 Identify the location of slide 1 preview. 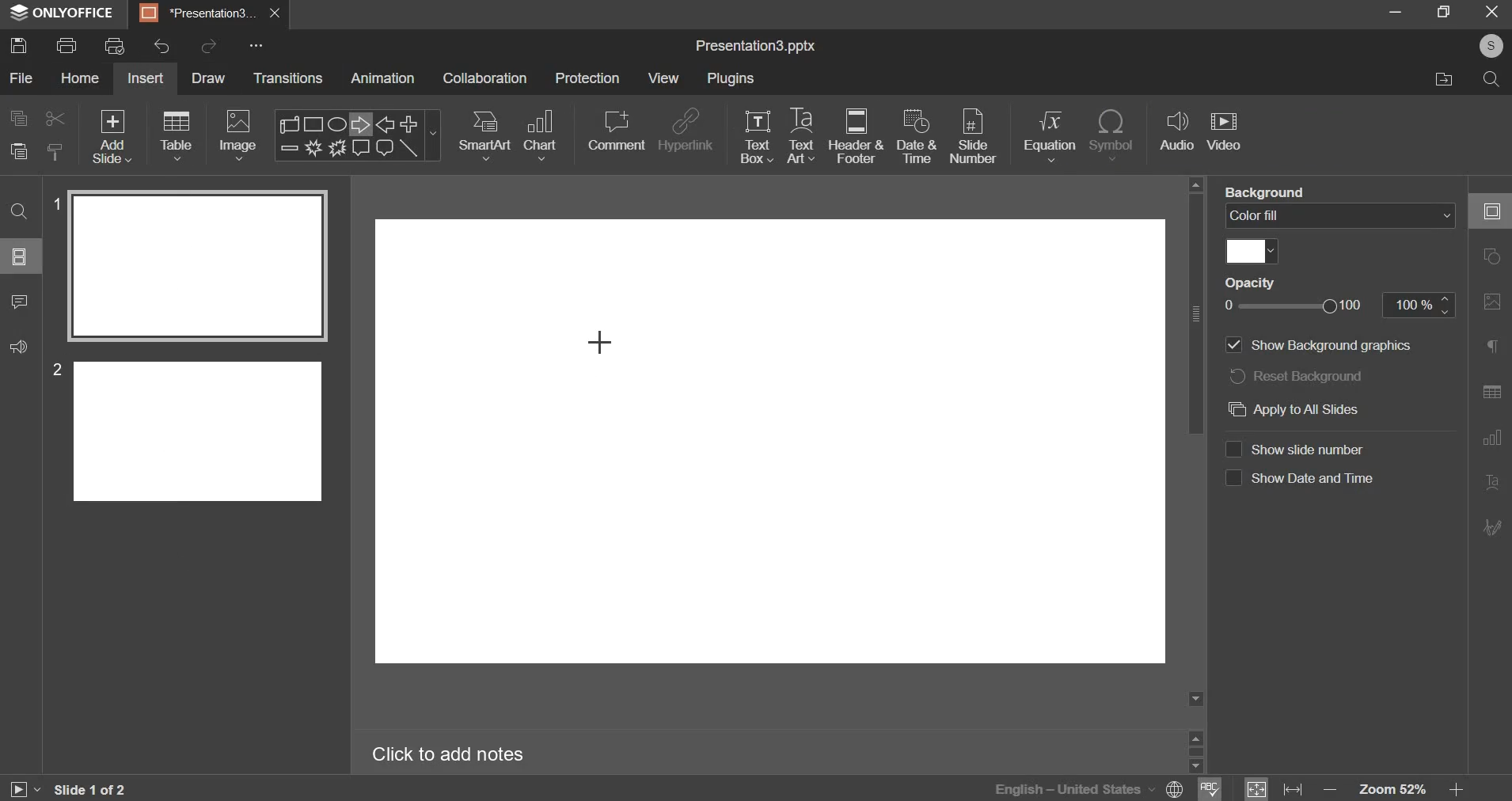
(196, 266).